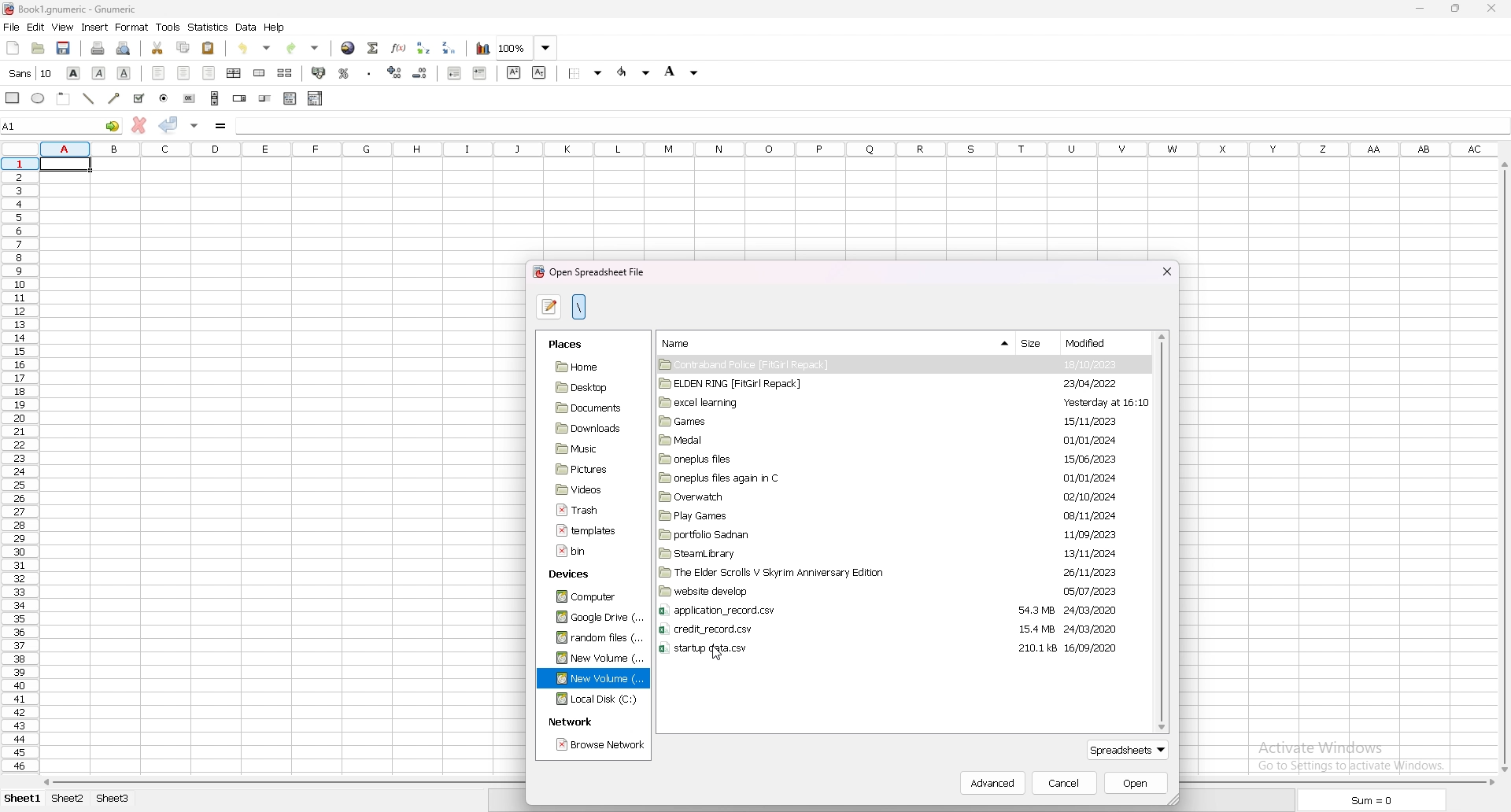 This screenshot has width=1511, height=812. What do you see at coordinates (133, 27) in the screenshot?
I see `format` at bounding box center [133, 27].